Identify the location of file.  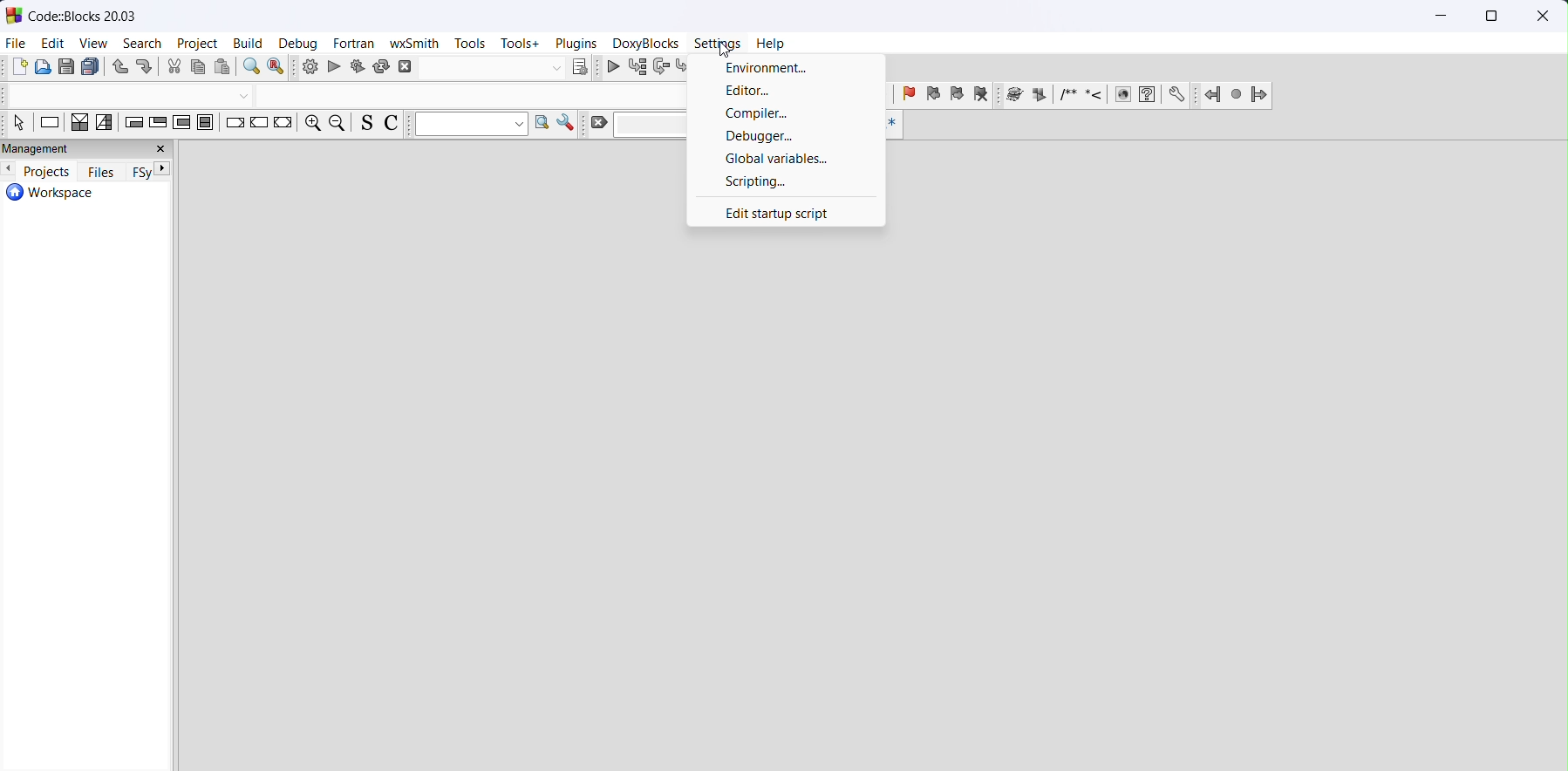
(17, 42).